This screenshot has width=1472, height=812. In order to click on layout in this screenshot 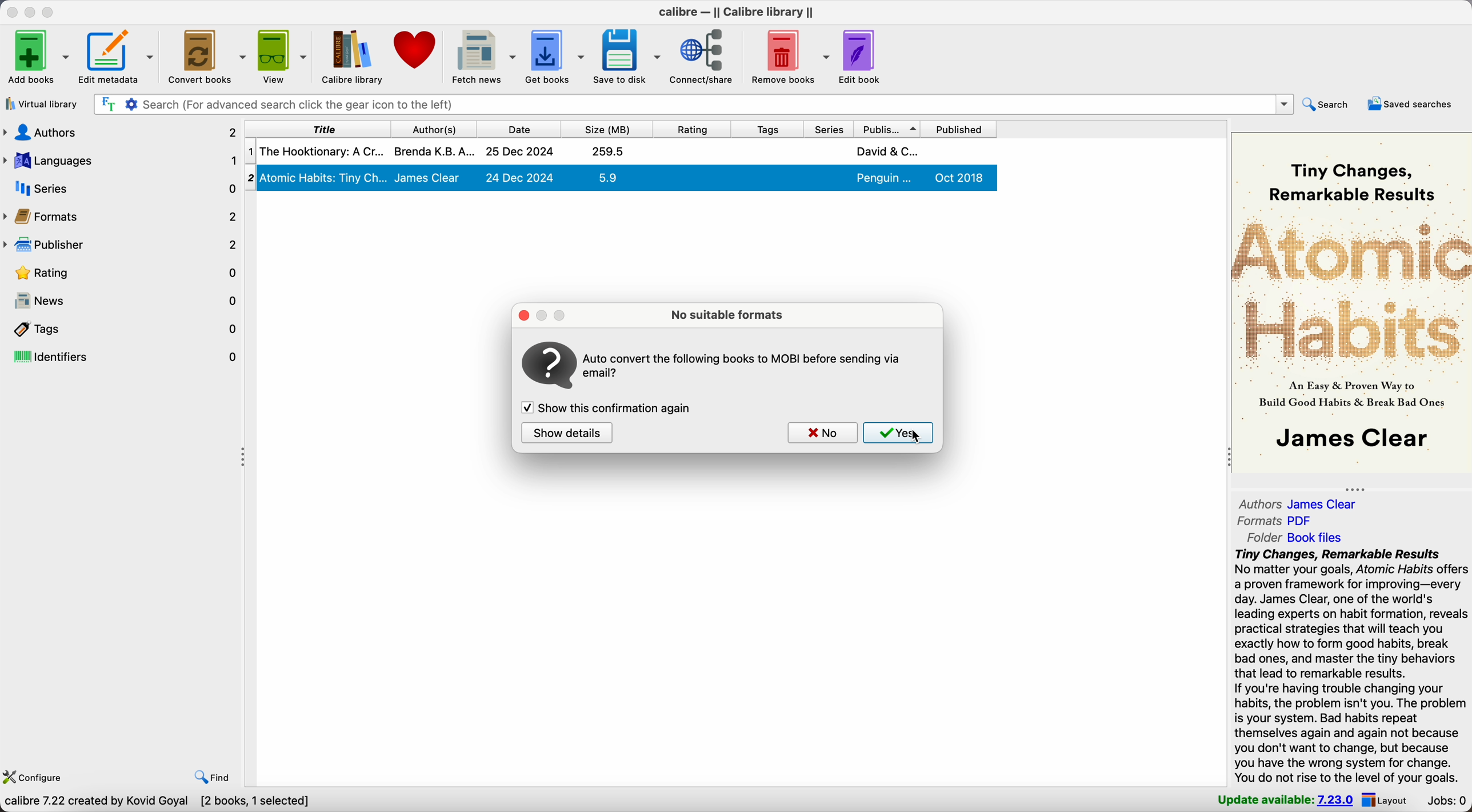, I will do `click(1387, 801)`.